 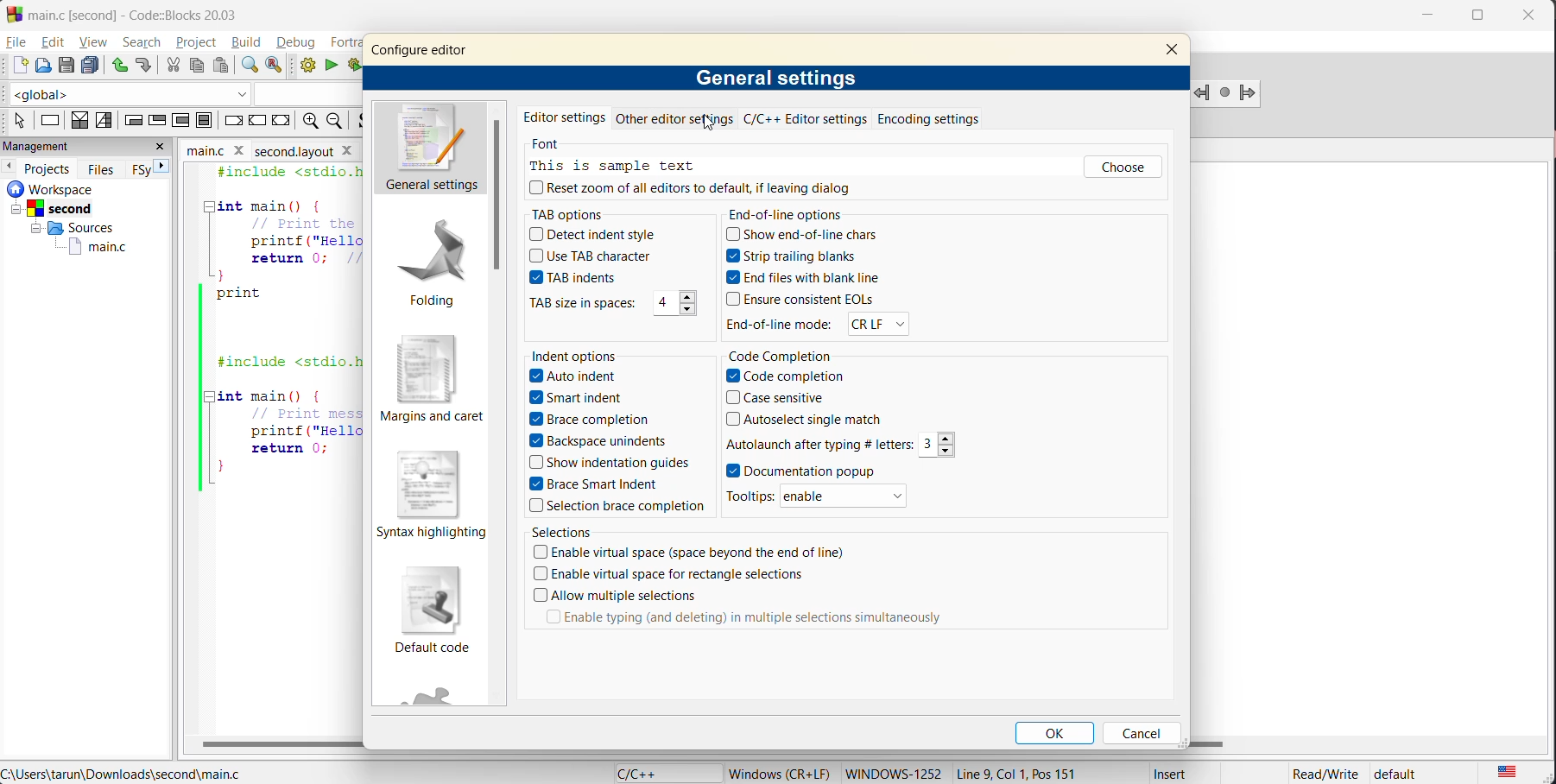 I want to click on TAB indents, so click(x=580, y=277).